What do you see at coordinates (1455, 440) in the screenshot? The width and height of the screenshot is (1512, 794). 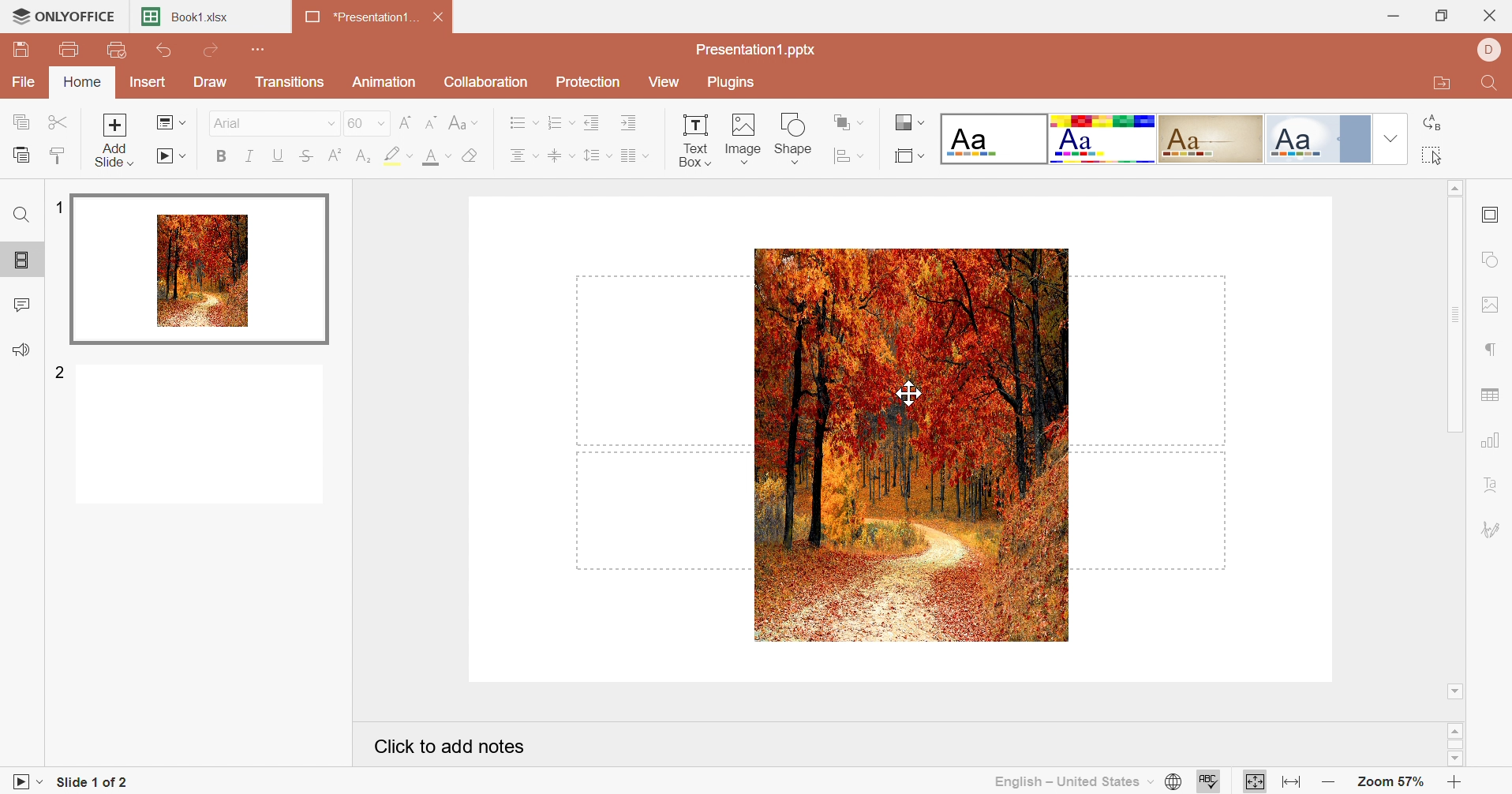 I see `Scroll Bar` at bounding box center [1455, 440].